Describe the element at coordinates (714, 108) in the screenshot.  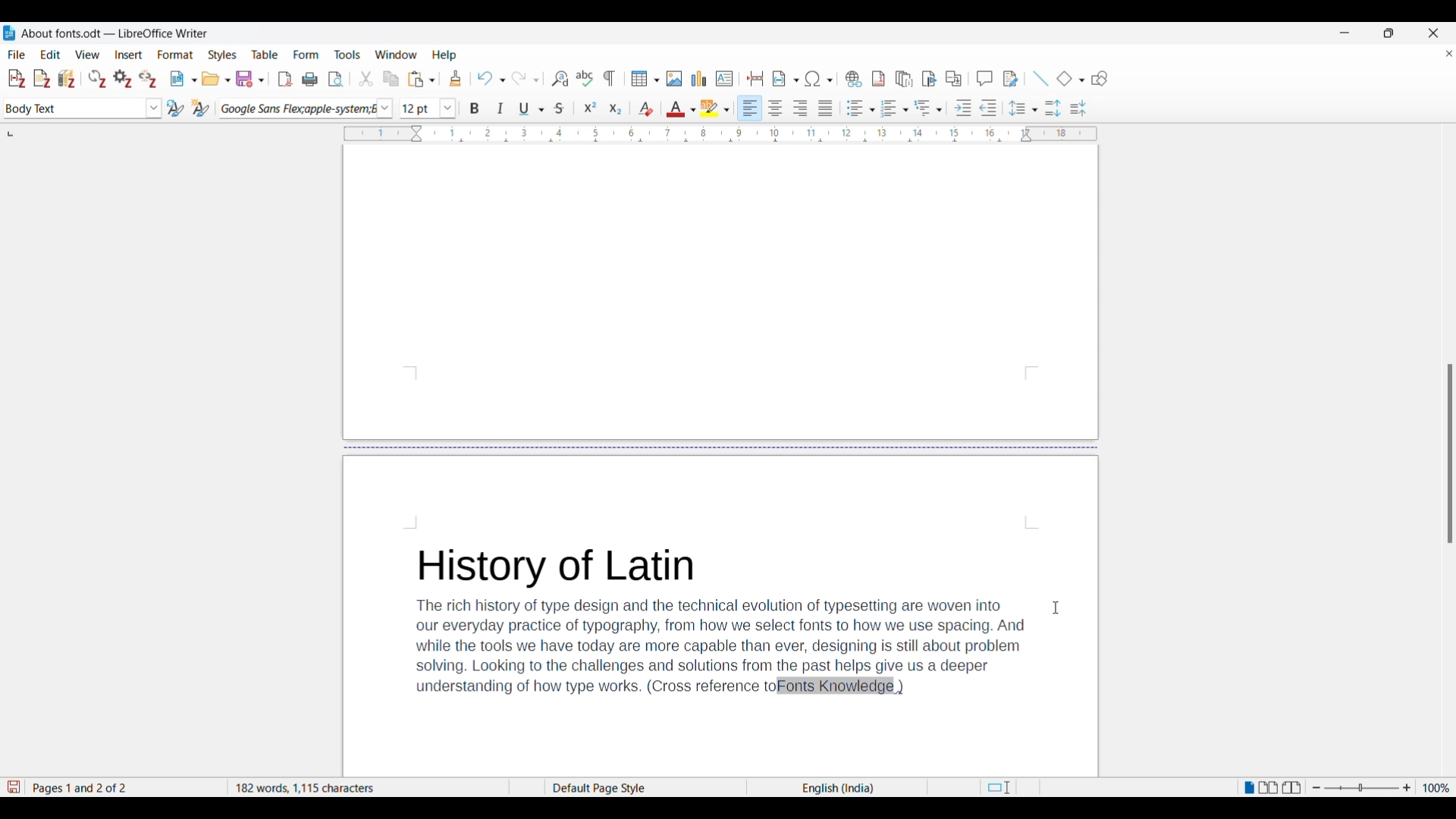
I see `Highlight color options` at that location.